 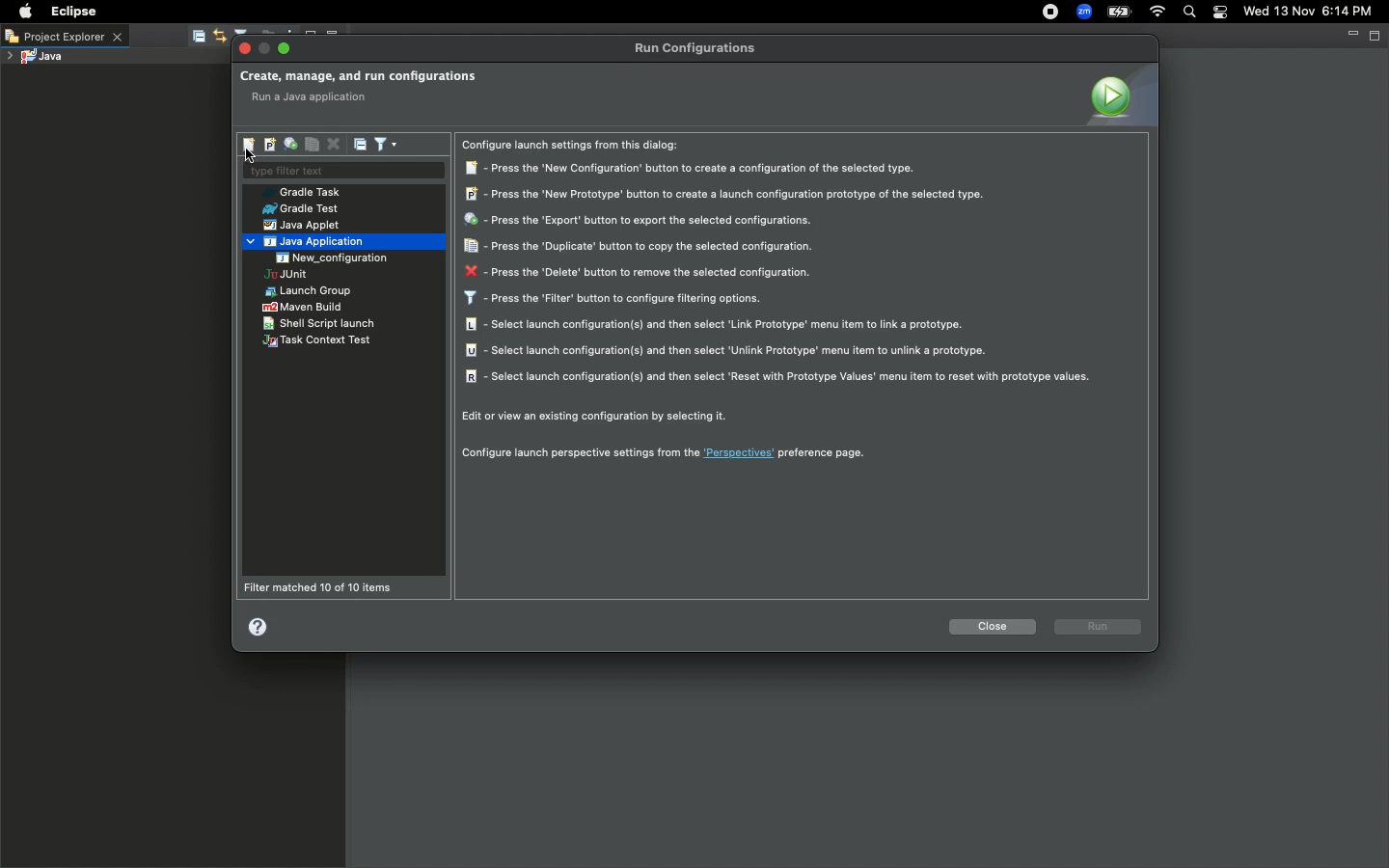 What do you see at coordinates (308, 242) in the screenshot?
I see `Java application` at bounding box center [308, 242].